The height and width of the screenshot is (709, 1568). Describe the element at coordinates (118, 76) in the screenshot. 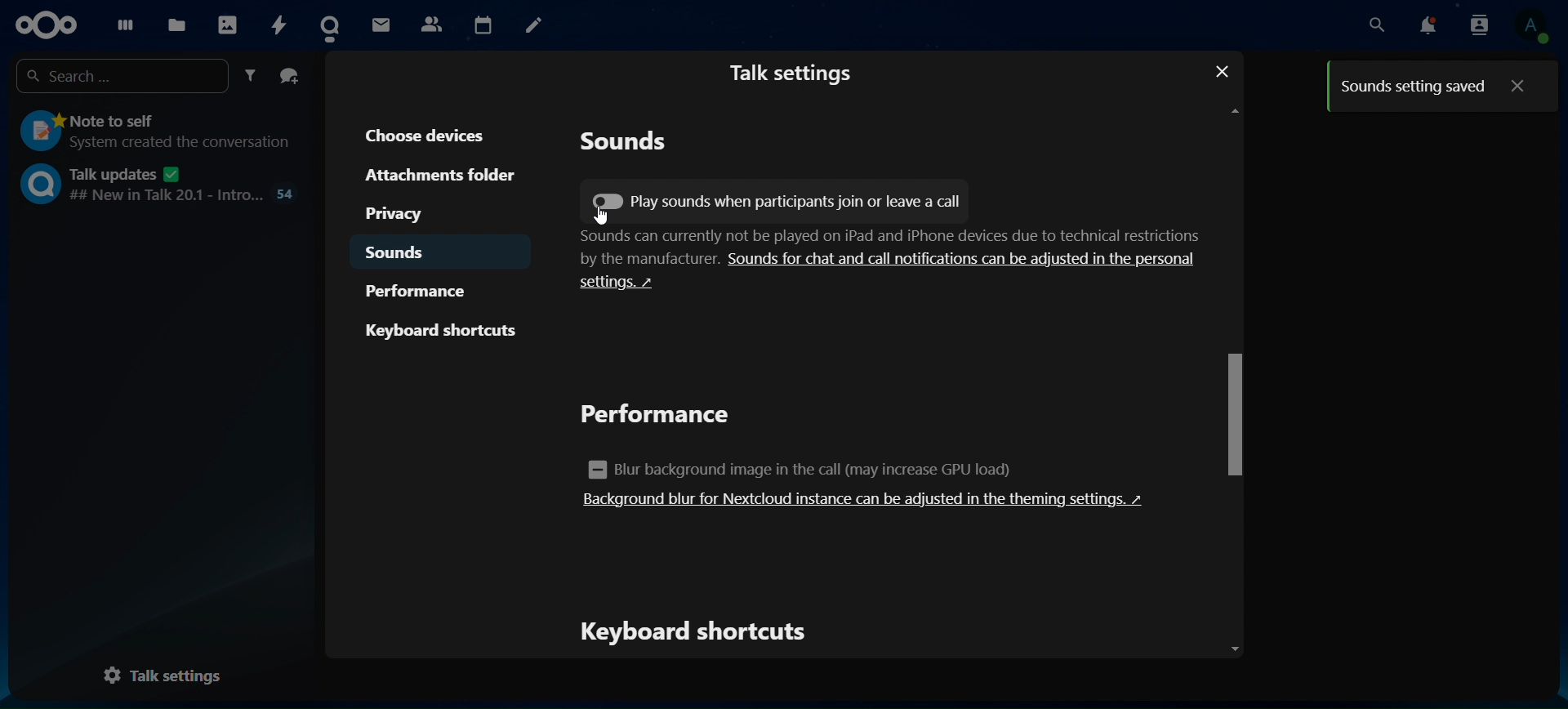

I see `search ..` at that location.